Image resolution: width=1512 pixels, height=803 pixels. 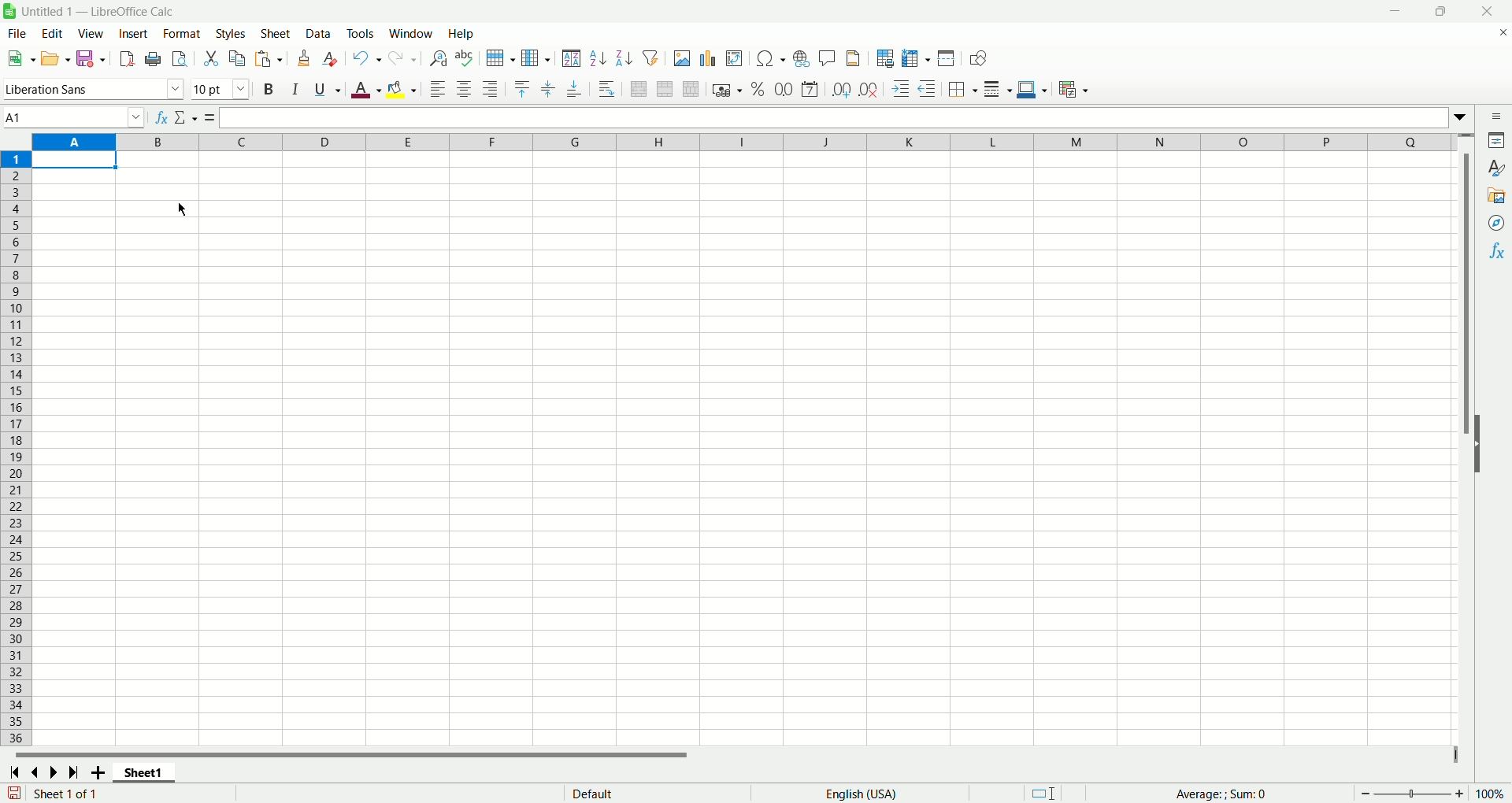 What do you see at coordinates (755, 90) in the screenshot?
I see `format as percent` at bounding box center [755, 90].